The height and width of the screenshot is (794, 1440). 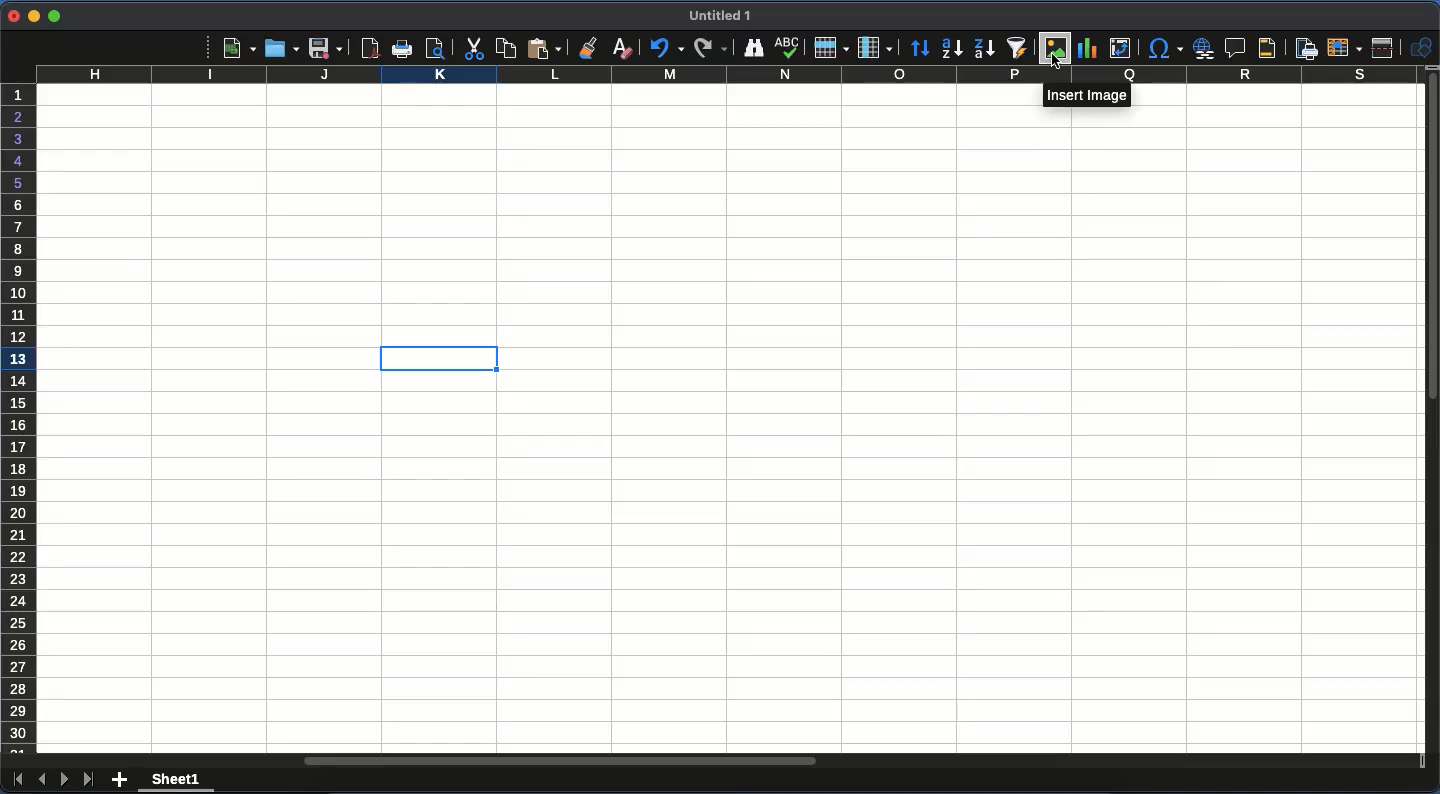 What do you see at coordinates (562, 761) in the screenshot?
I see `horizontal scroll bar` at bounding box center [562, 761].